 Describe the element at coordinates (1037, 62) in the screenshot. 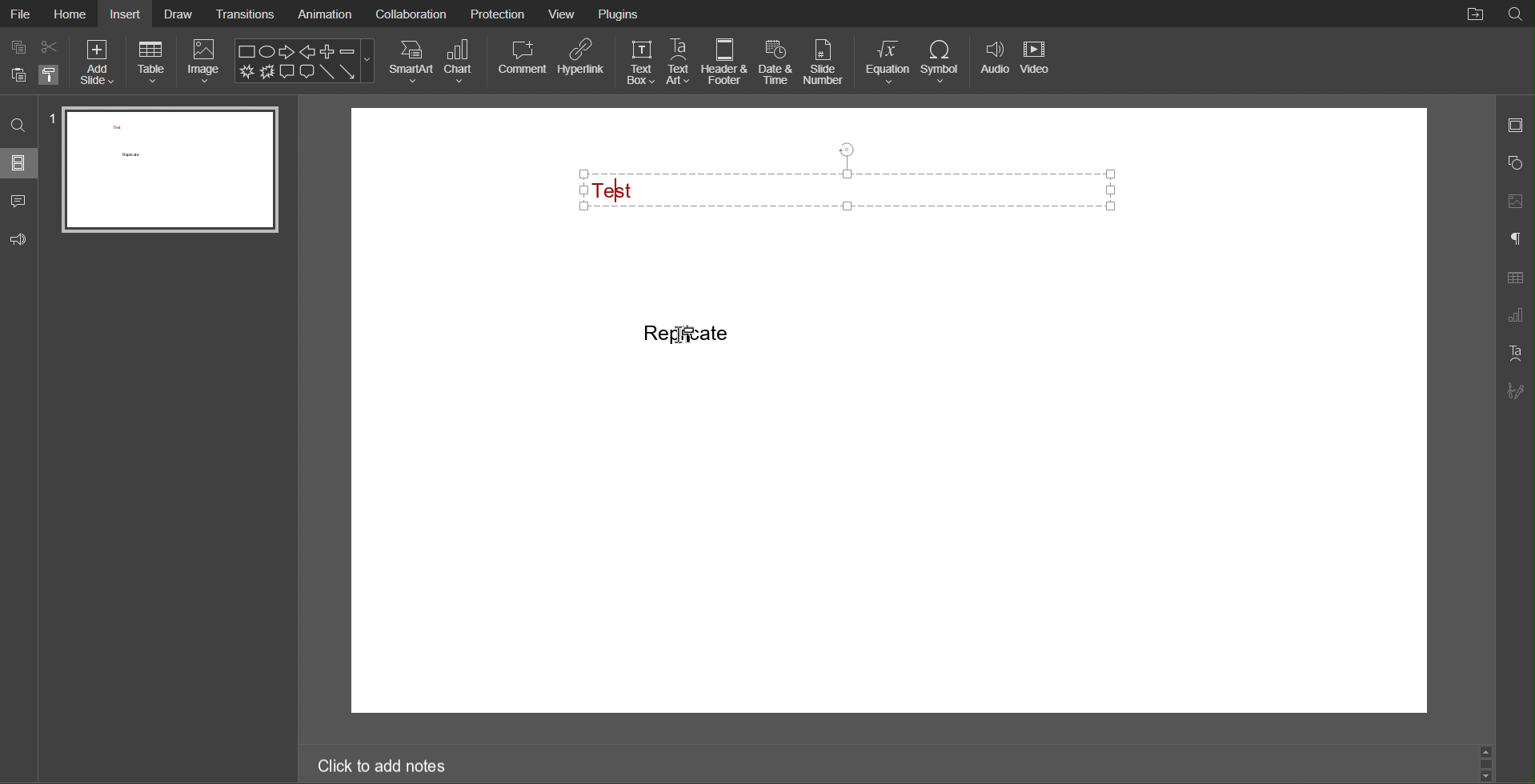

I see `Video` at that location.